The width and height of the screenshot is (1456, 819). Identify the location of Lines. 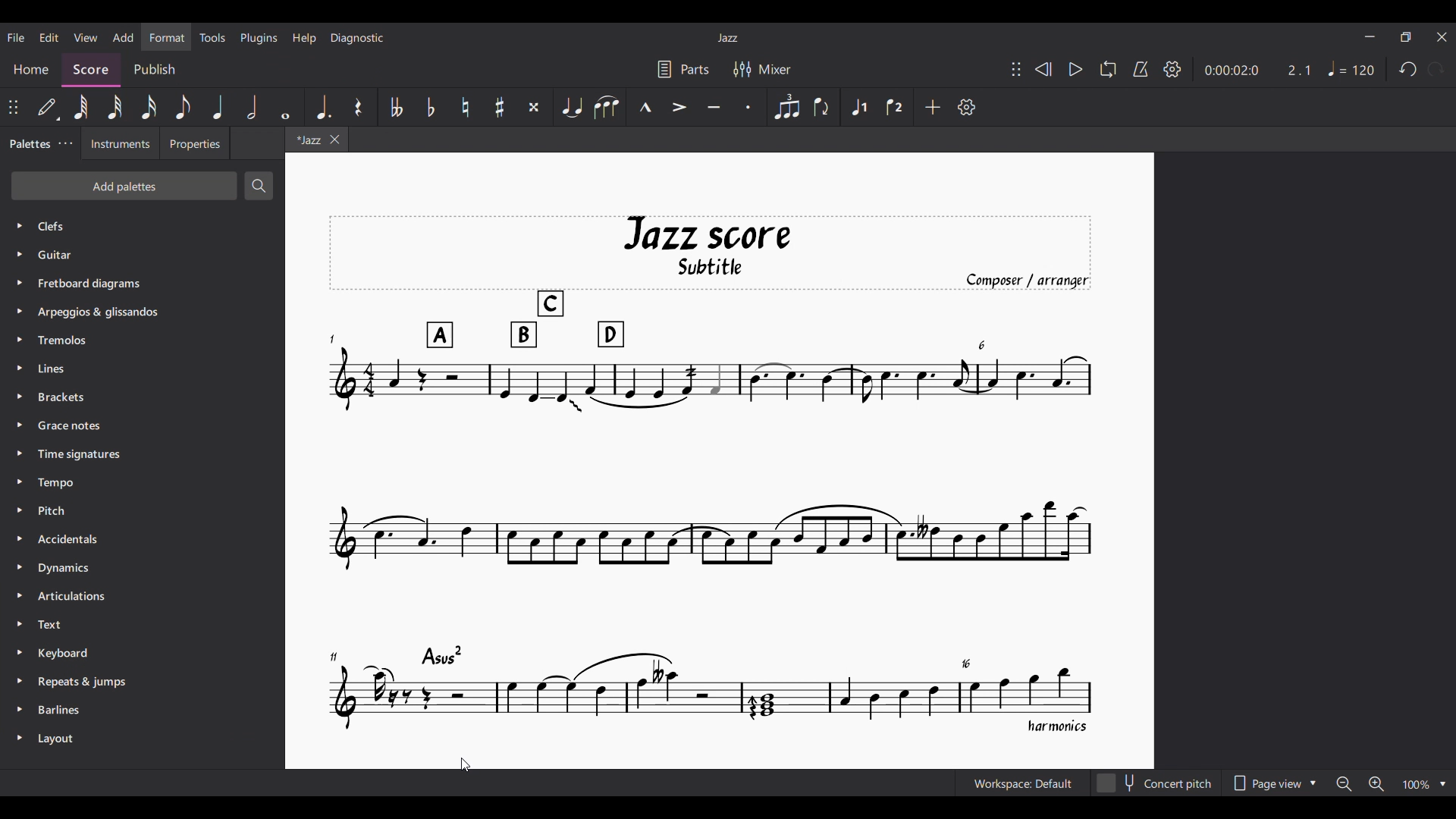
(54, 369).